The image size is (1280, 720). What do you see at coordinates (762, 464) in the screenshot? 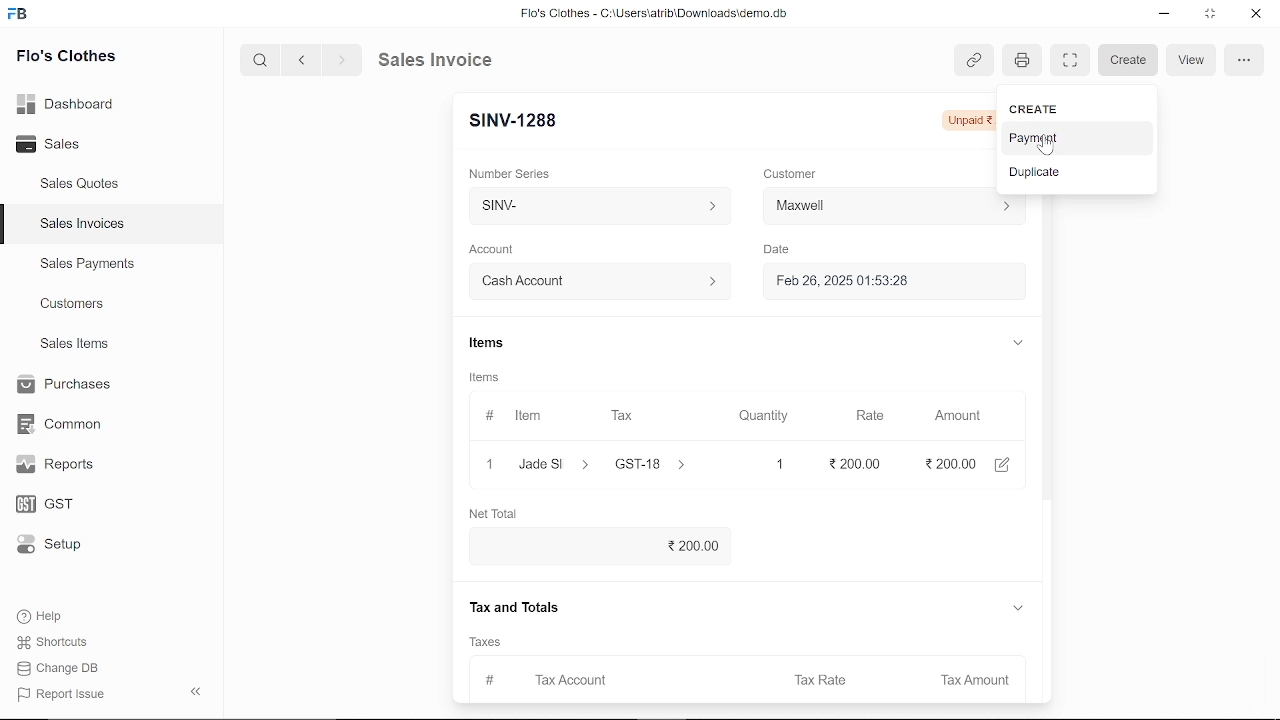
I see `1` at bounding box center [762, 464].